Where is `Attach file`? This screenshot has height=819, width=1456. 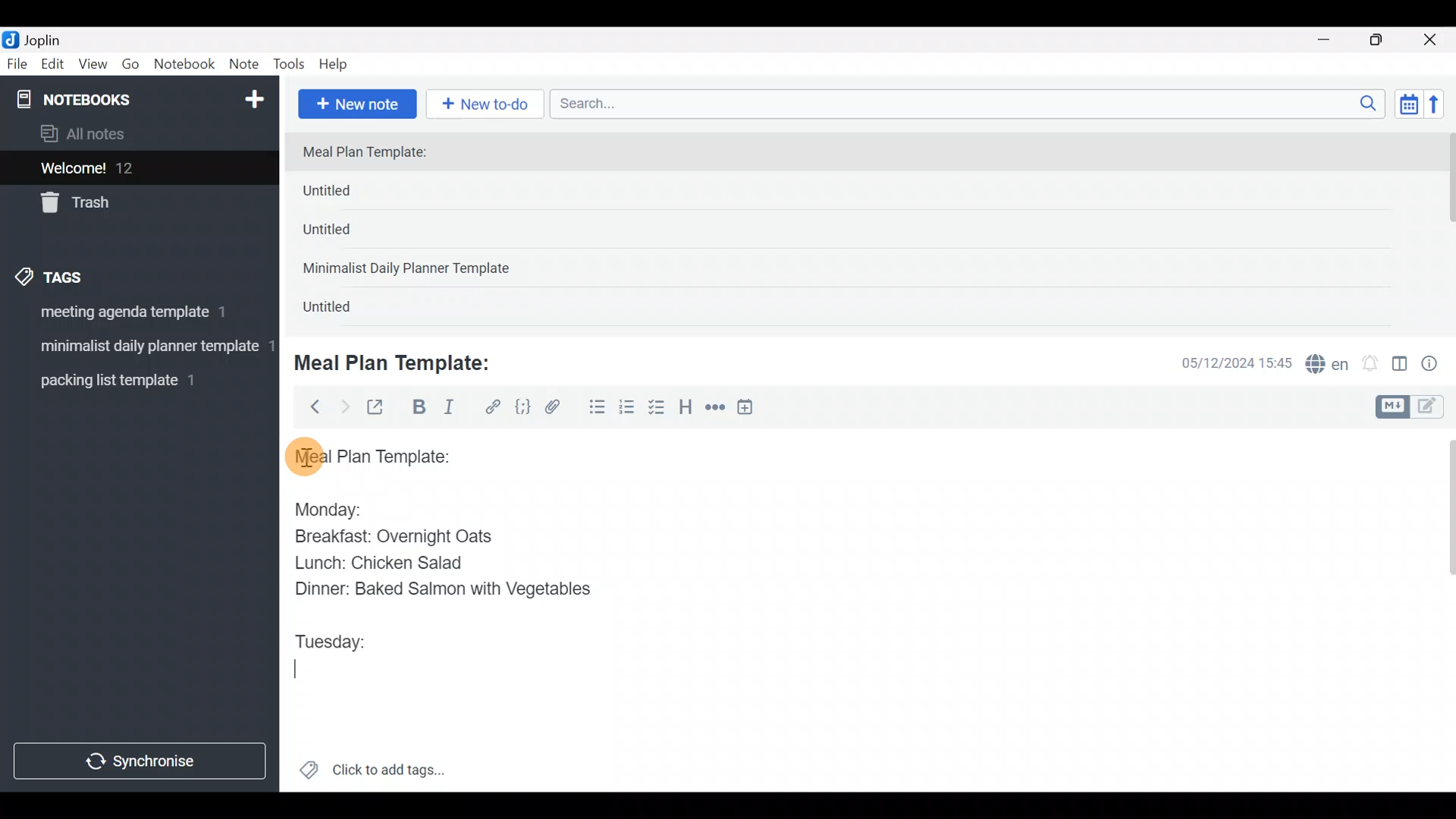
Attach file is located at coordinates (557, 409).